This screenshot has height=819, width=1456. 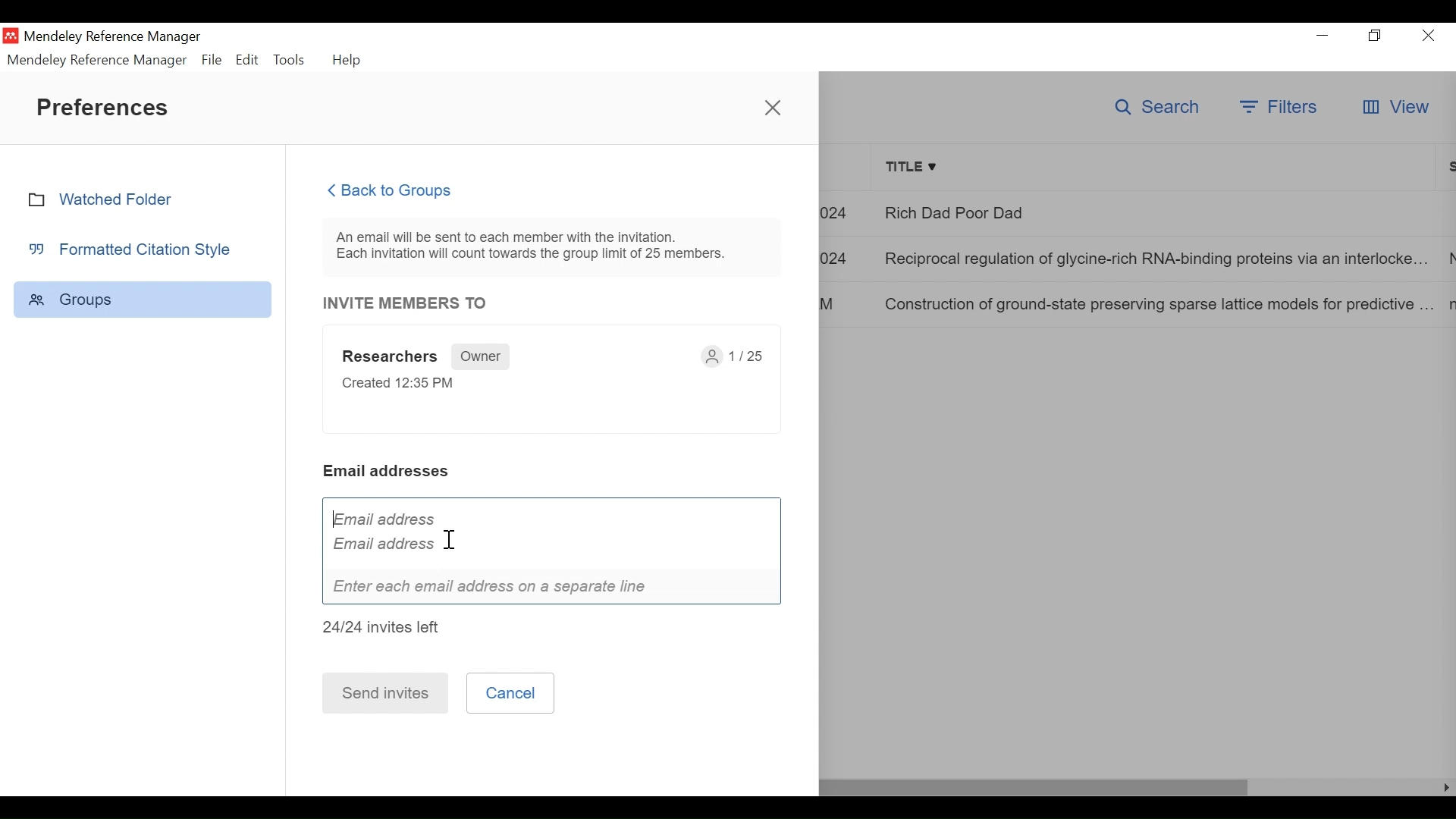 What do you see at coordinates (1157, 303) in the screenshot?
I see `Construction of ground-state preserving sparse lattice models for predictive..` at bounding box center [1157, 303].